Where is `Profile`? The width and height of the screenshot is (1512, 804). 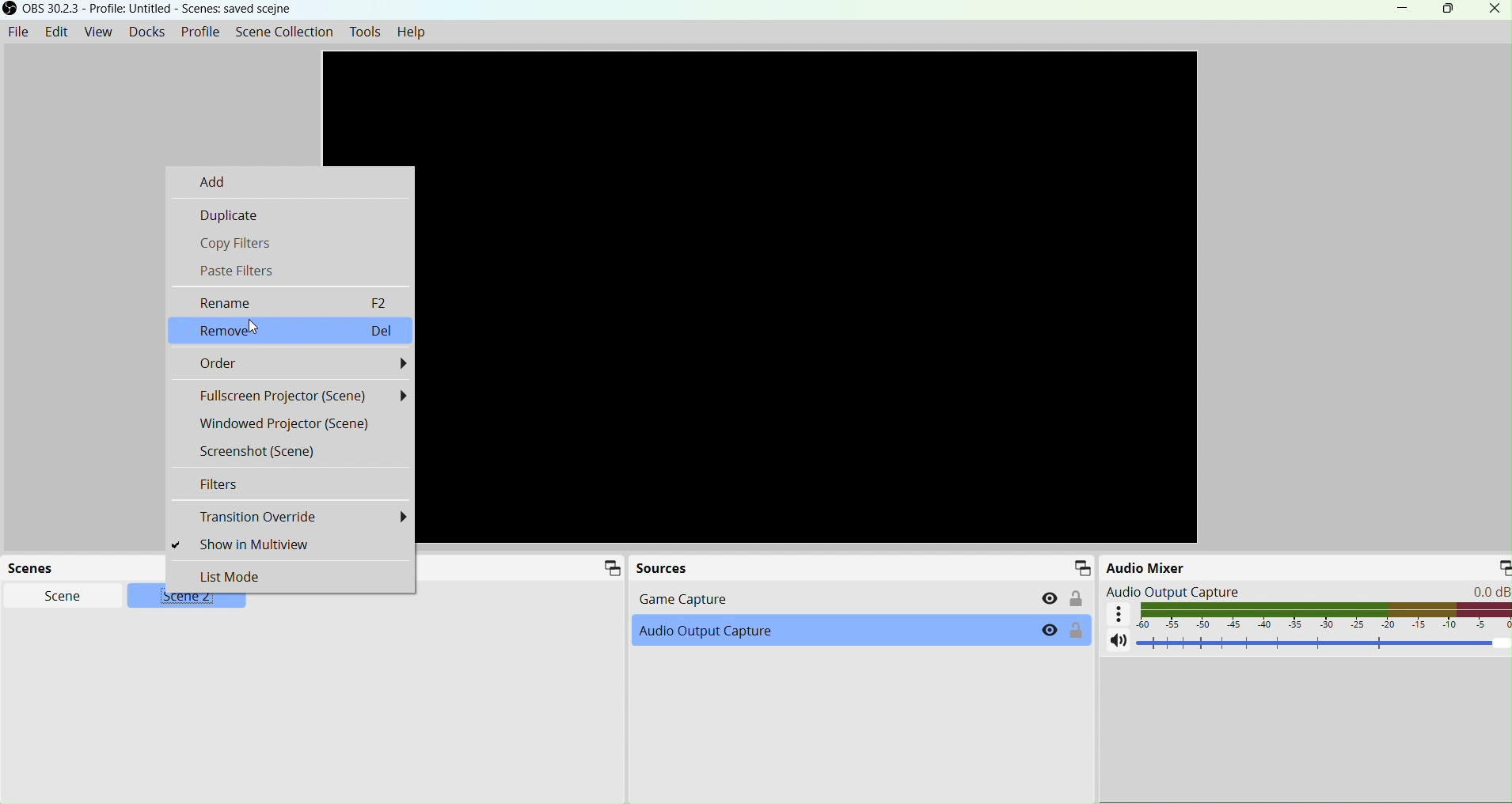
Profile is located at coordinates (201, 31).